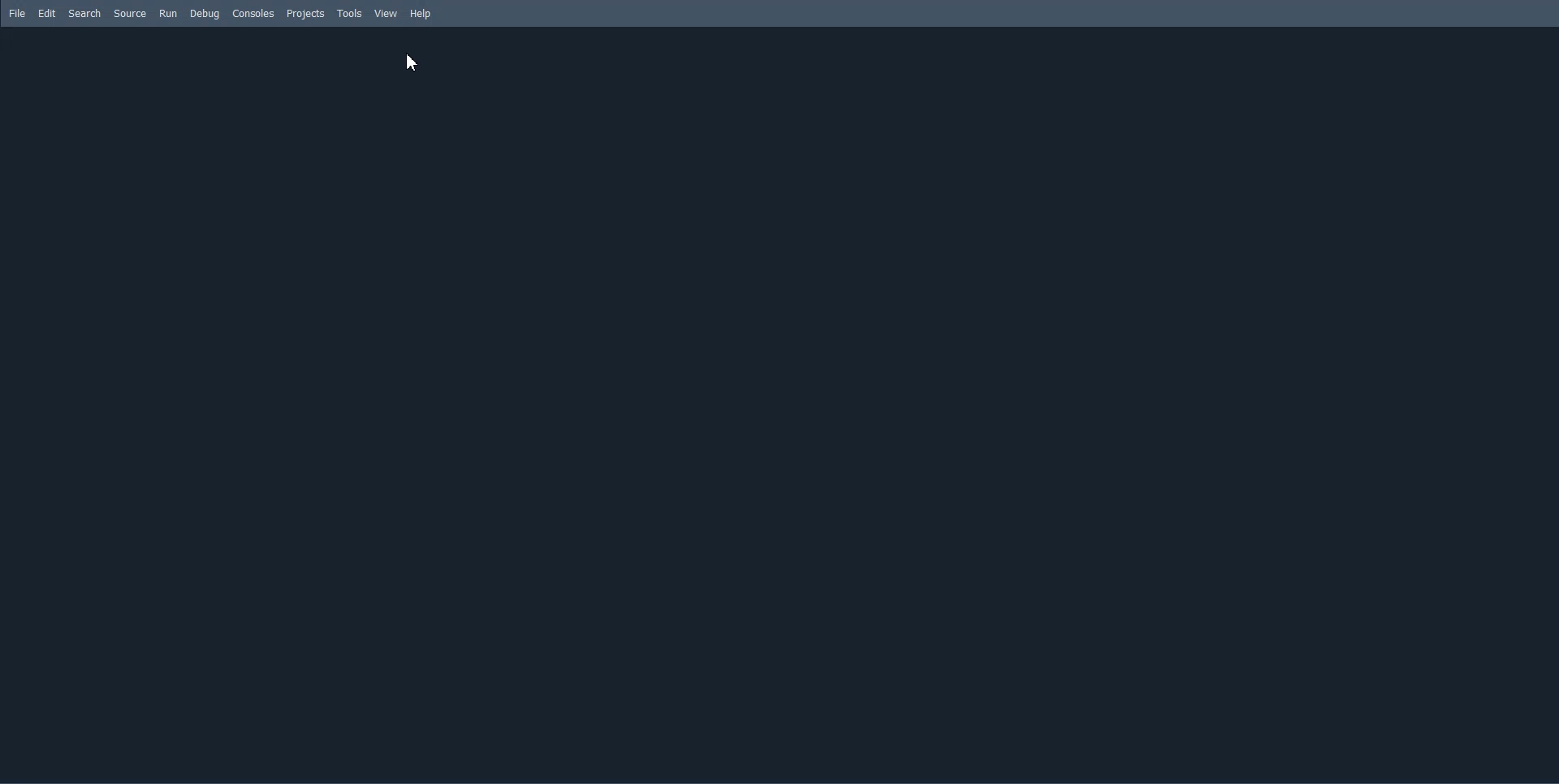 The image size is (1559, 784). Describe the element at coordinates (306, 13) in the screenshot. I see `Projects` at that location.